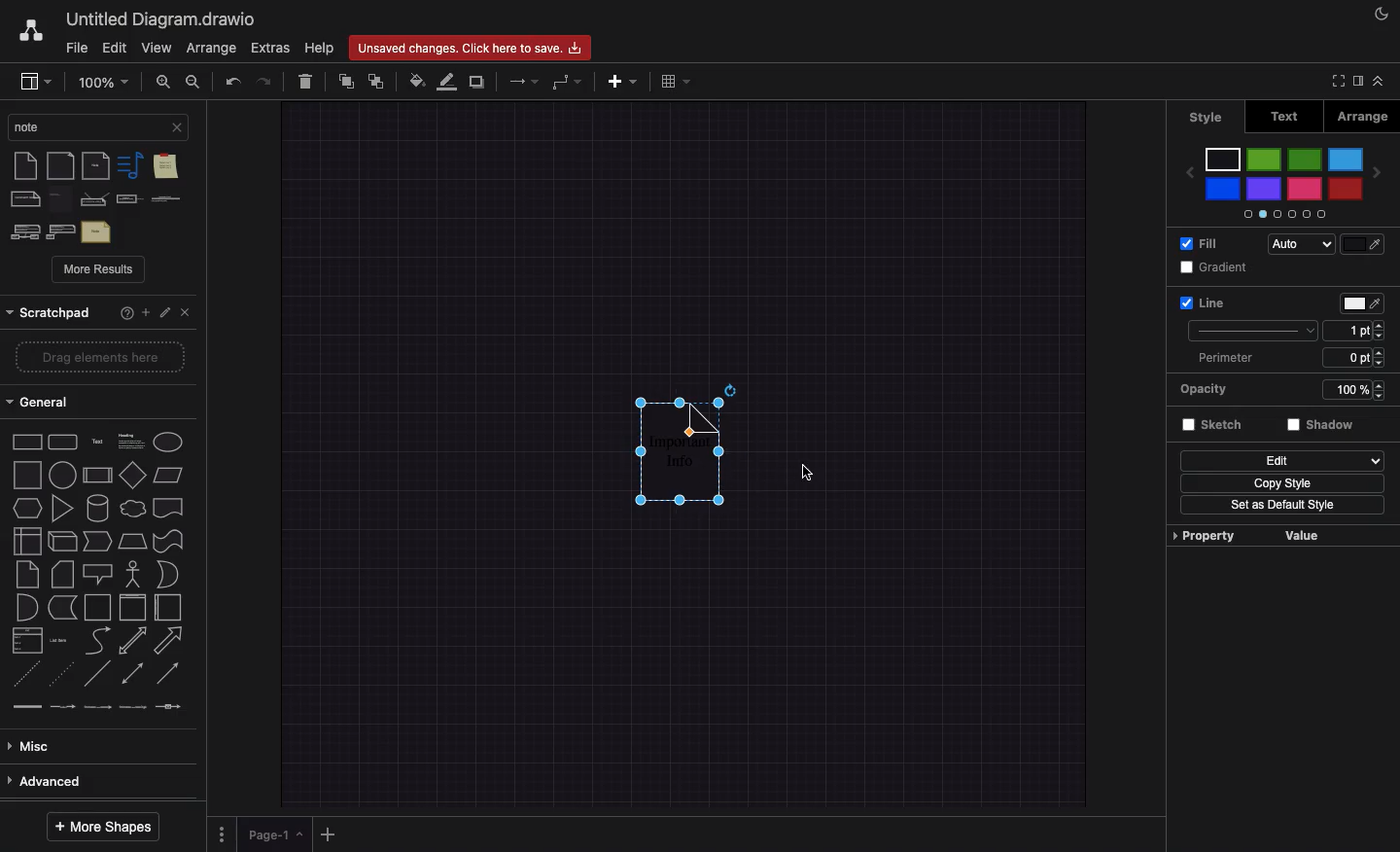 The height and width of the screenshot is (852, 1400). What do you see at coordinates (135, 715) in the screenshot?
I see `connector with 3 label` at bounding box center [135, 715].